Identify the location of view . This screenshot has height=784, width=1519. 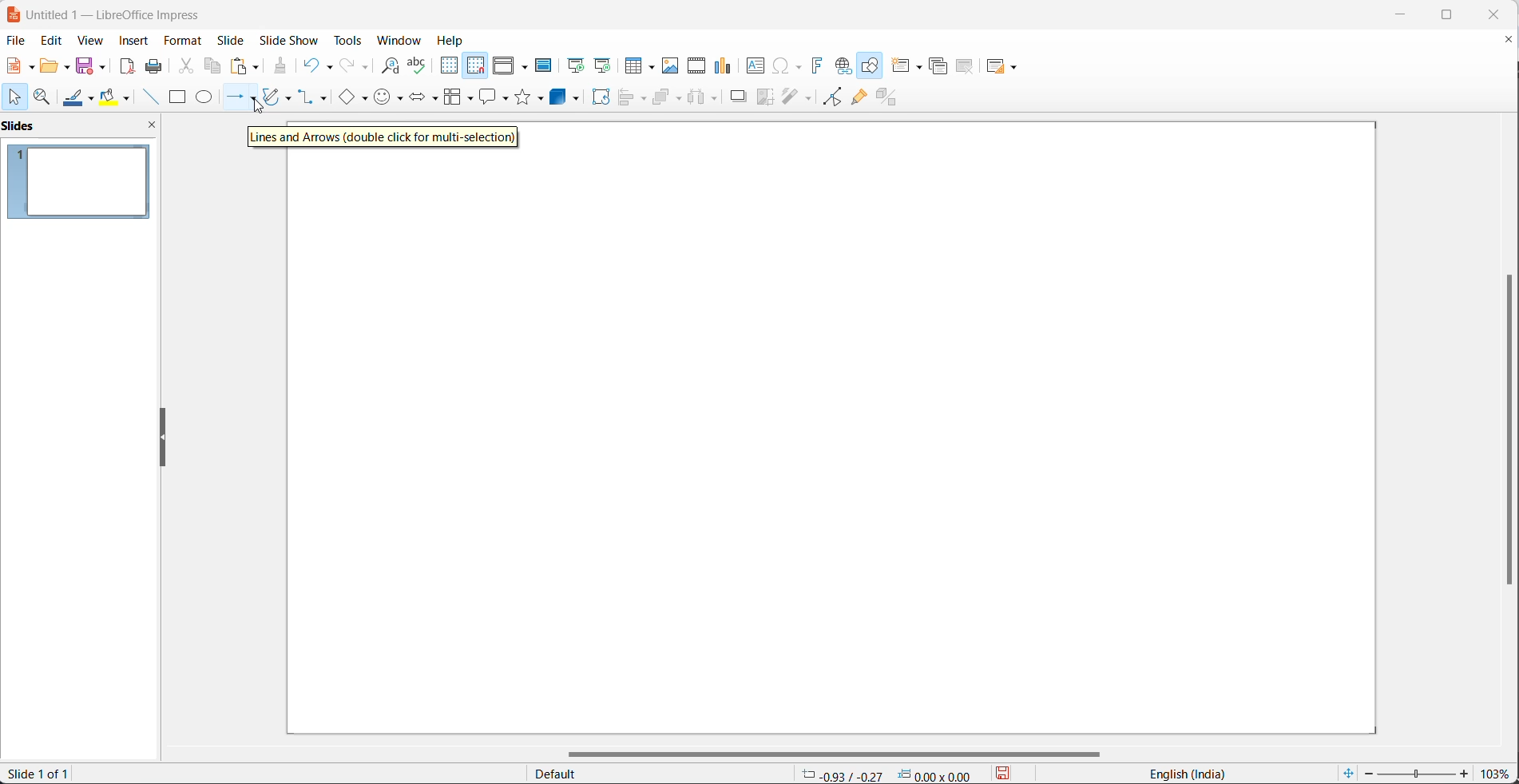
(91, 40).